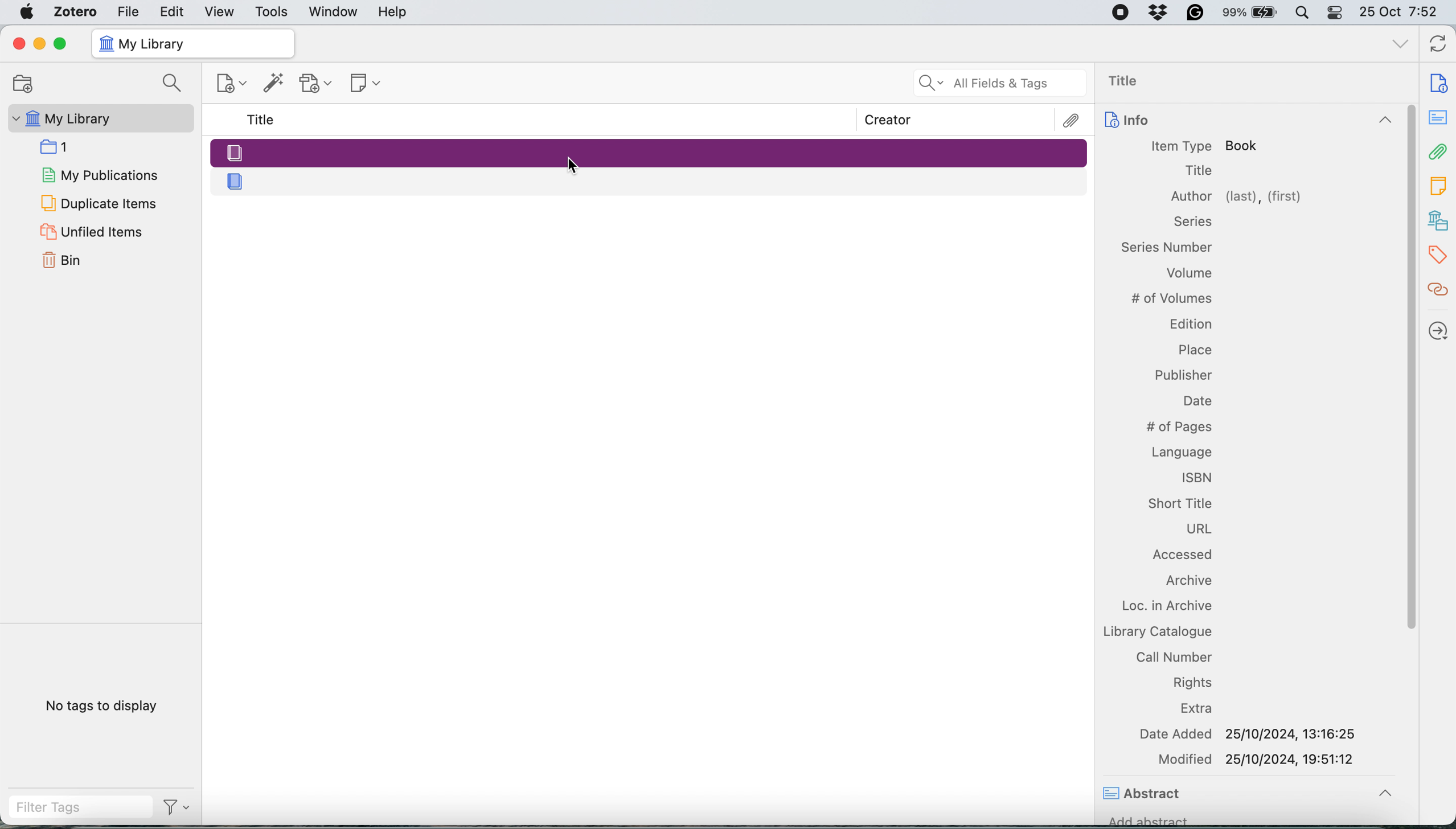 The image size is (1456, 829). I want to click on Tools, so click(272, 13).